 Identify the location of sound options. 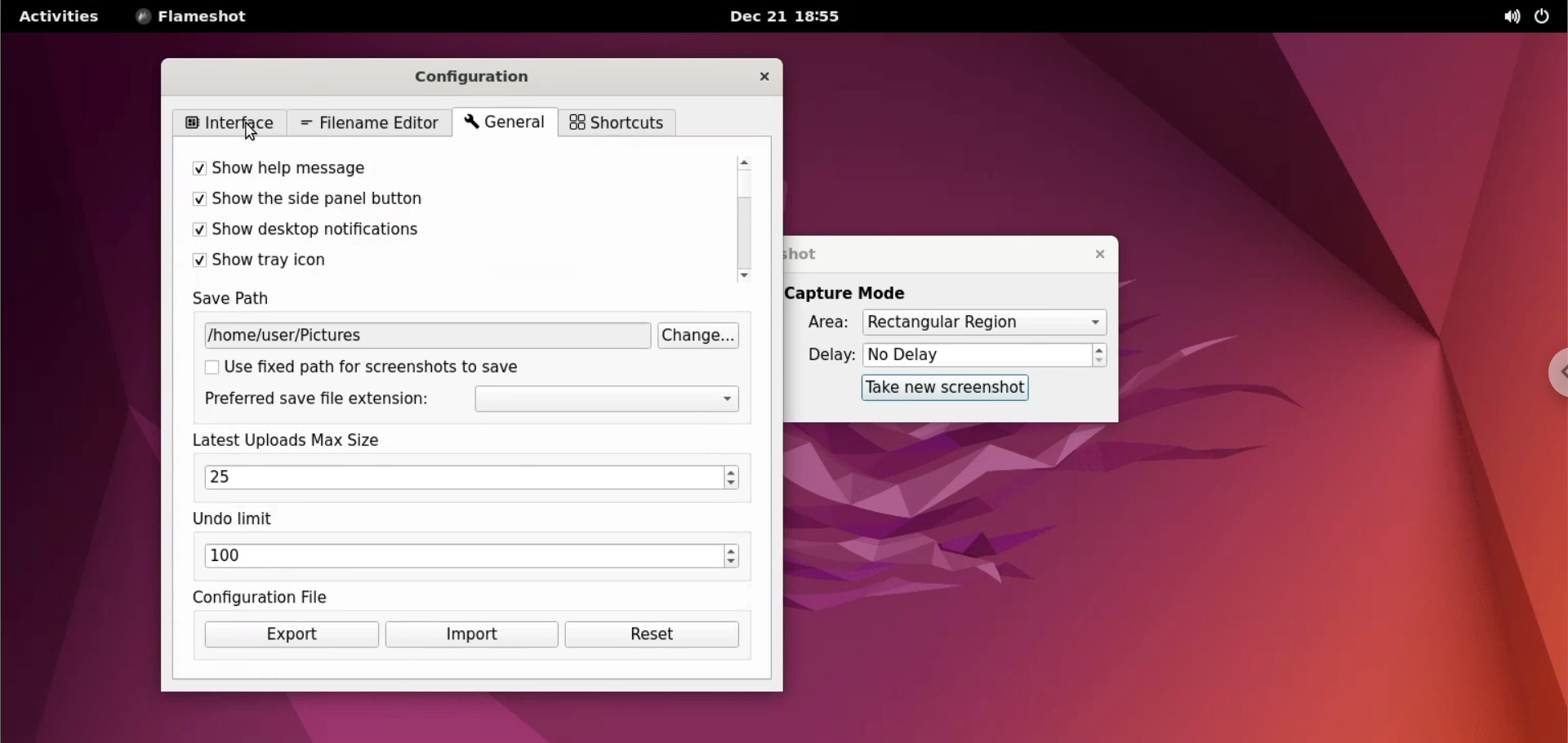
(1508, 17).